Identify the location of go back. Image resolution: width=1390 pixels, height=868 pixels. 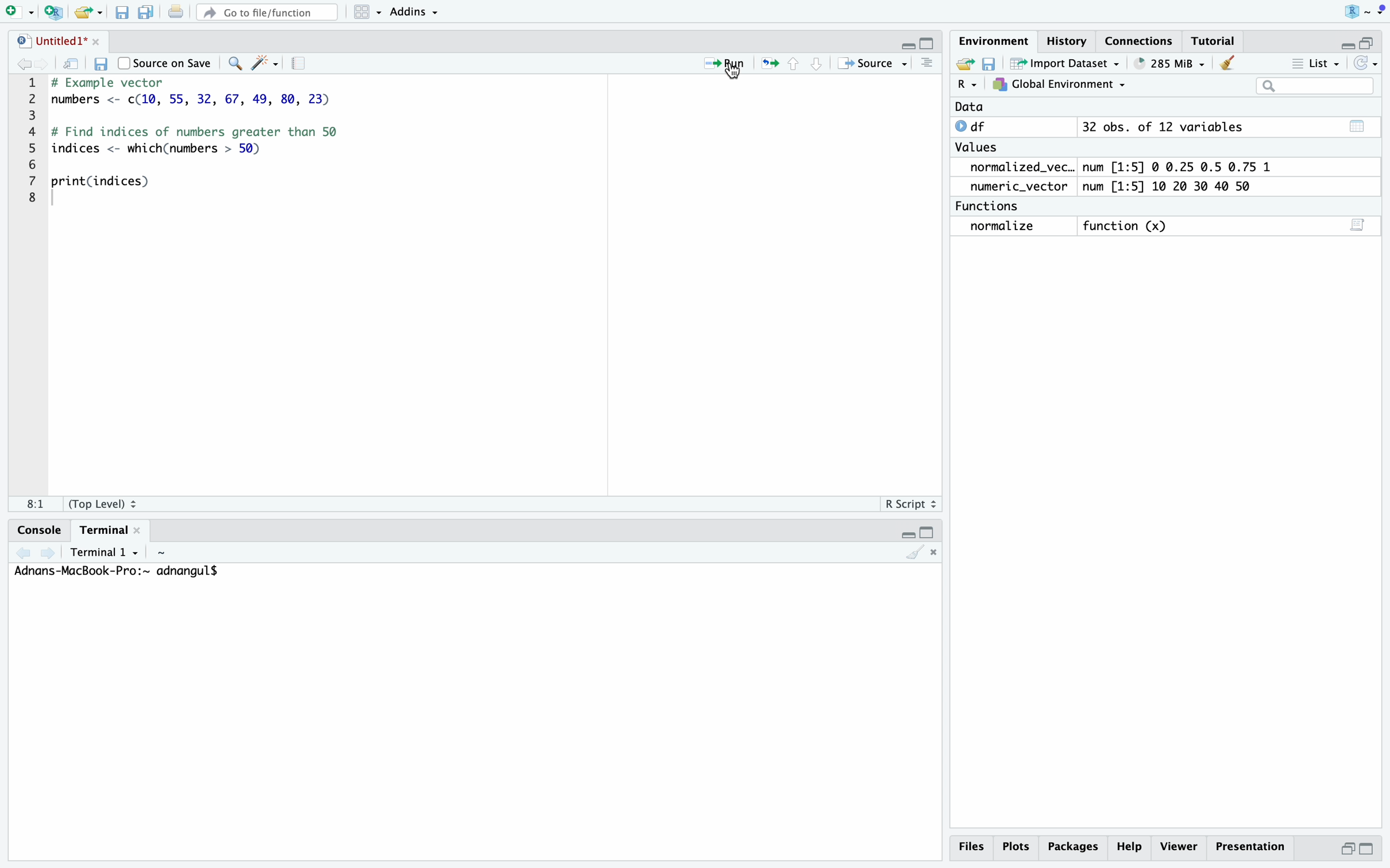
(29, 65).